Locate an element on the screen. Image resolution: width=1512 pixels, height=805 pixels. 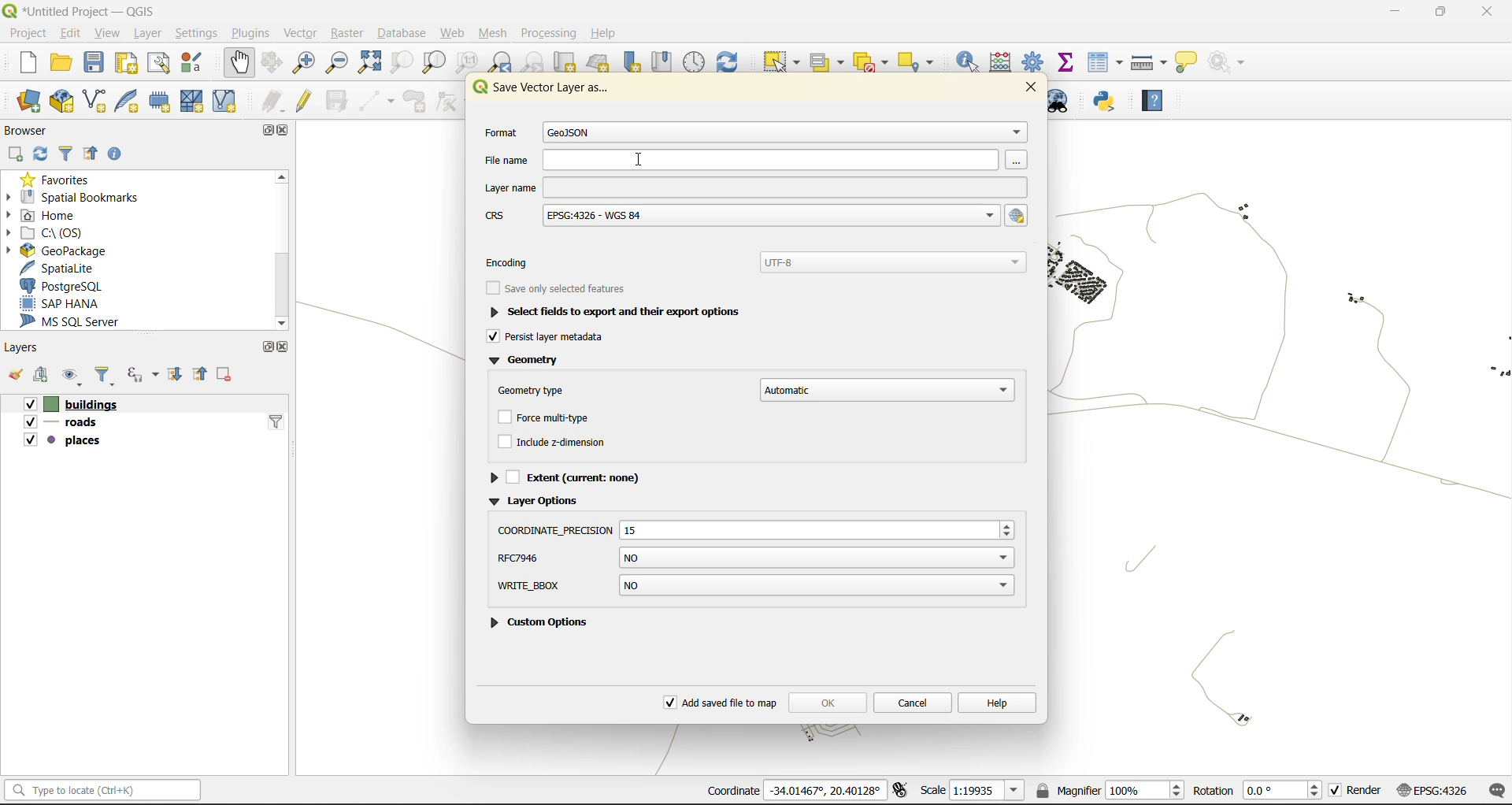
see only selected features is located at coordinates (561, 286).